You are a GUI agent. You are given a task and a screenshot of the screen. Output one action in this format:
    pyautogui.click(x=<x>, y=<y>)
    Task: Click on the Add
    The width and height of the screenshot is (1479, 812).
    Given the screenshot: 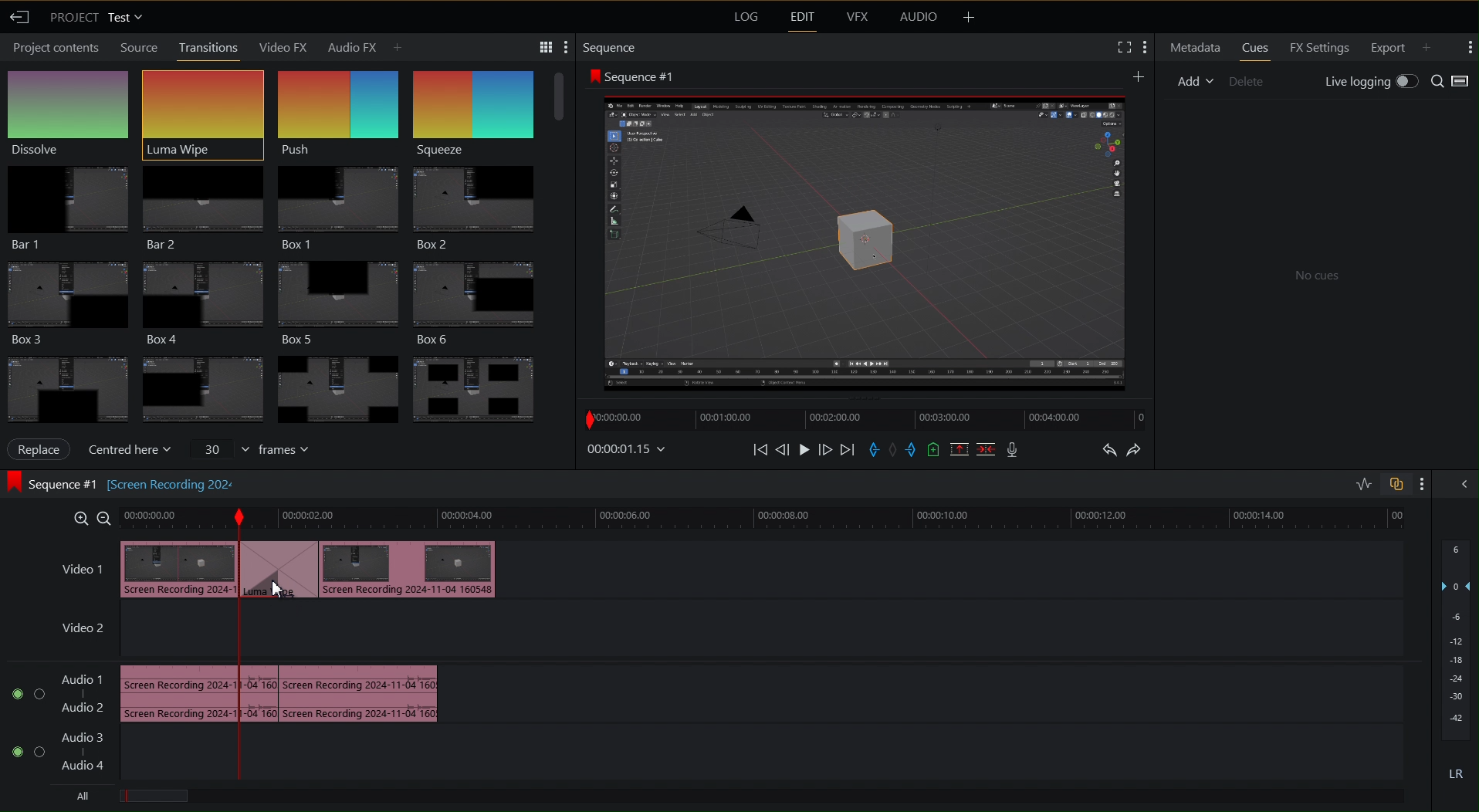 What is the action you would take?
    pyautogui.click(x=1139, y=75)
    